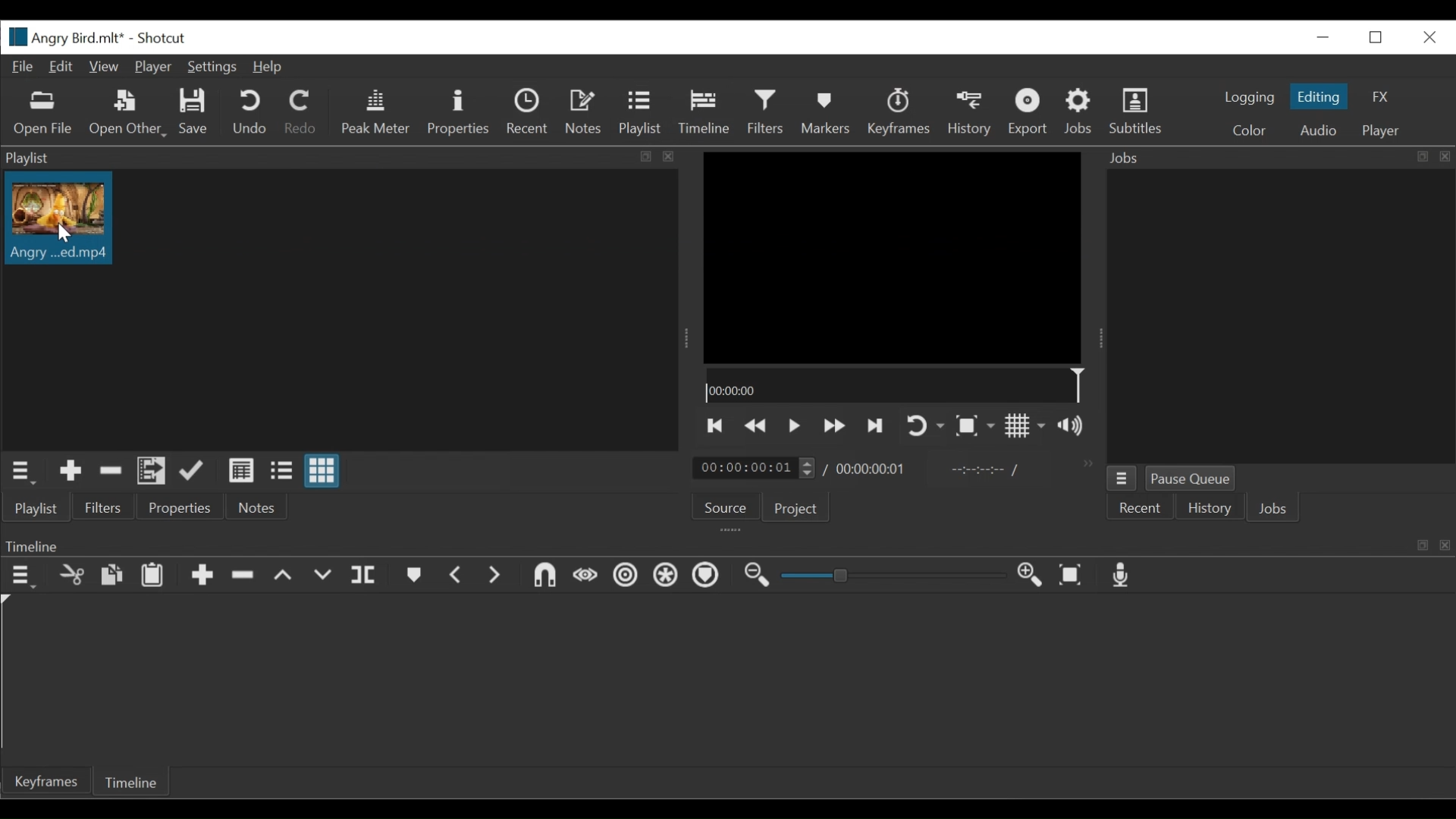 This screenshot has width=1456, height=819. What do you see at coordinates (203, 576) in the screenshot?
I see `Append` at bounding box center [203, 576].